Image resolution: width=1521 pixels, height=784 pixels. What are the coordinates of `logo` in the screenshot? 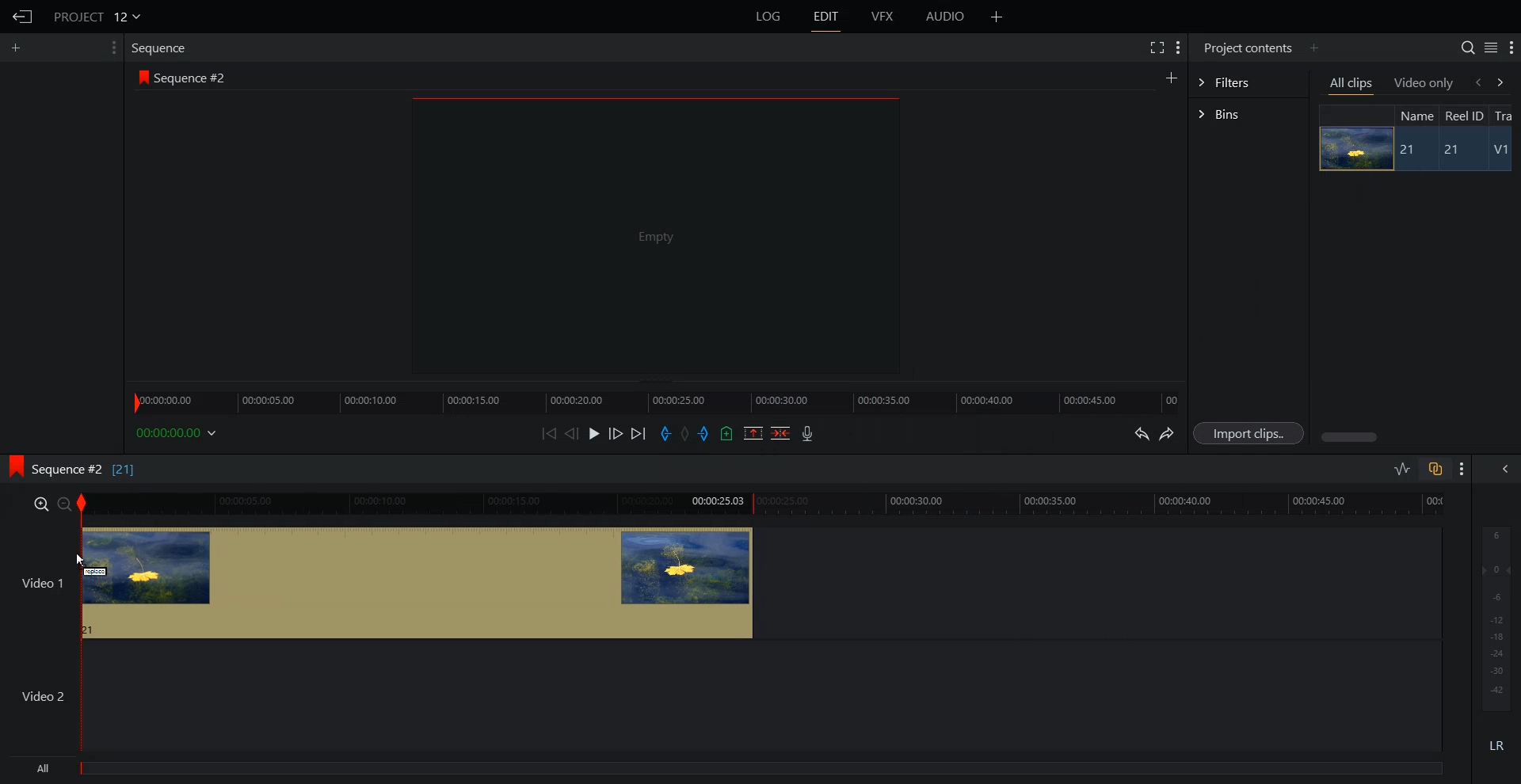 It's located at (11, 464).